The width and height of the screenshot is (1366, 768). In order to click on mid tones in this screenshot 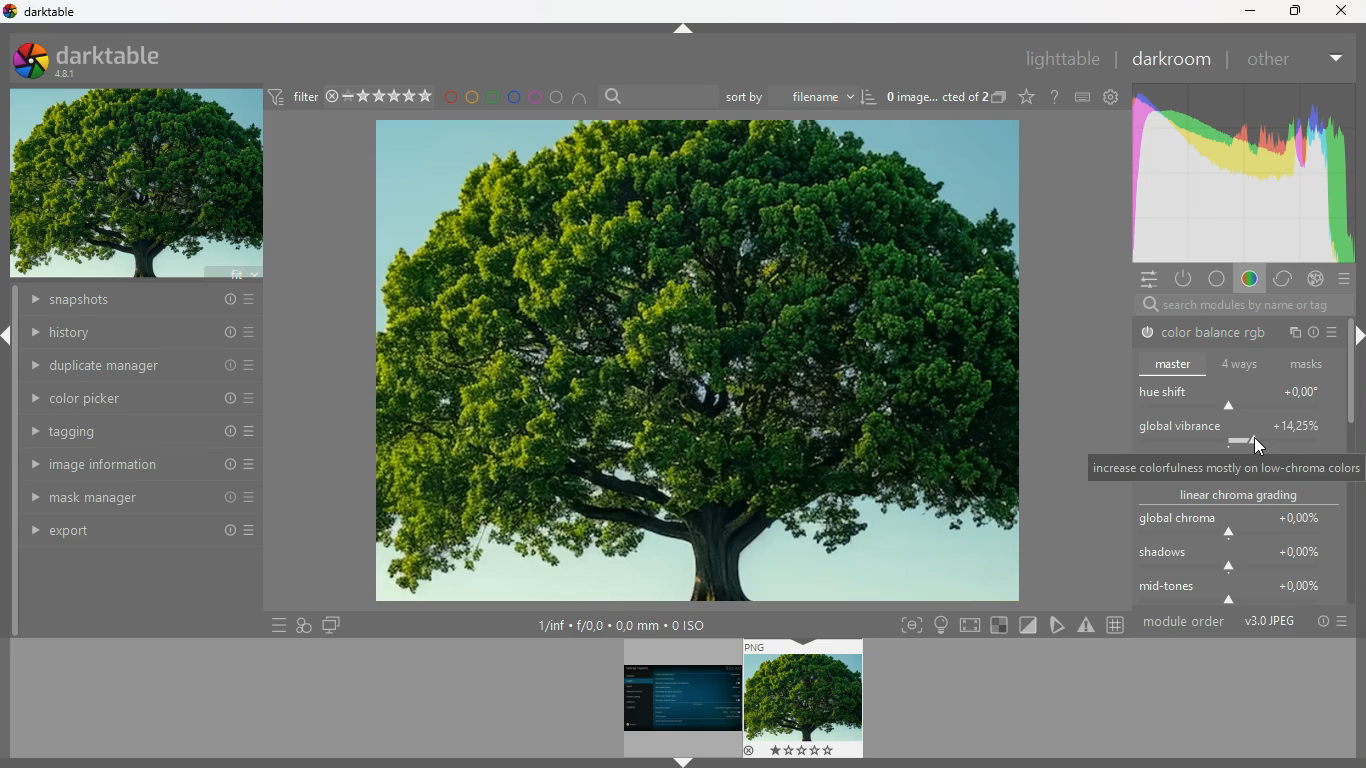, I will do `click(1238, 593)`.